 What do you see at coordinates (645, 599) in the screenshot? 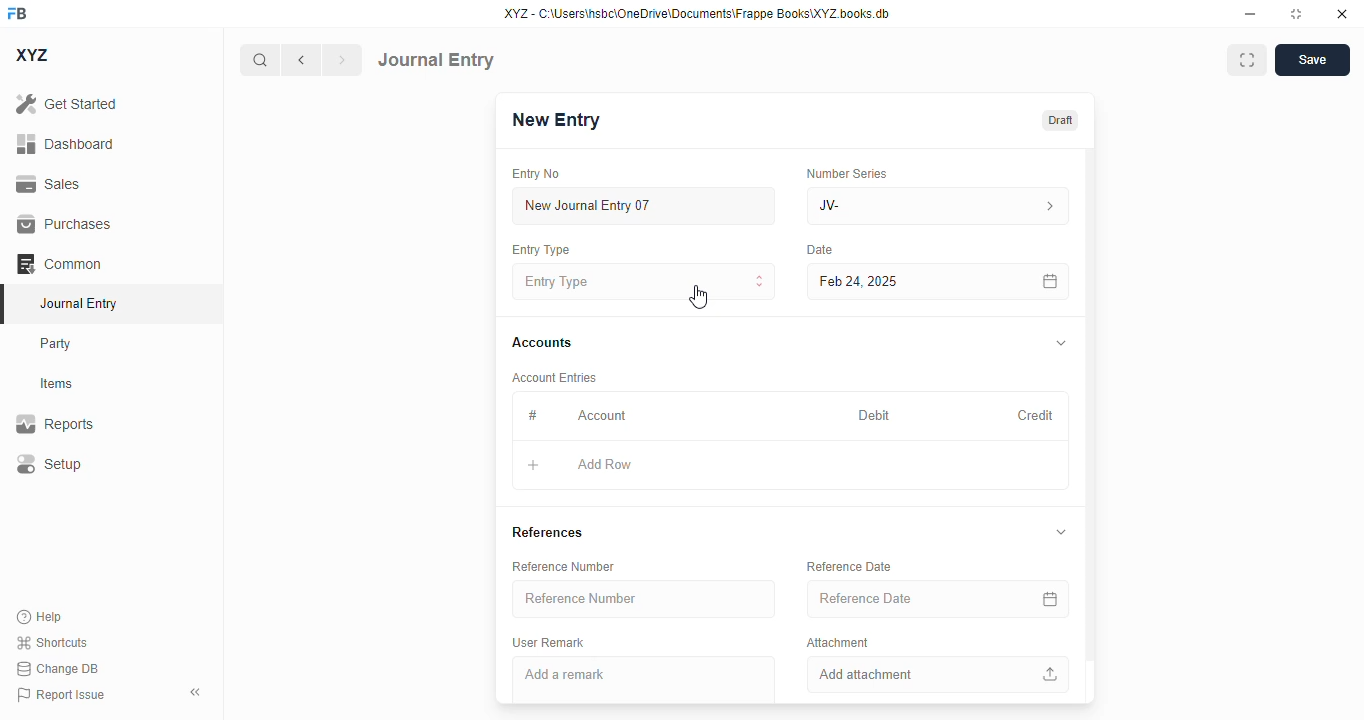
I see `reference number` at bounding box center [645, 599].